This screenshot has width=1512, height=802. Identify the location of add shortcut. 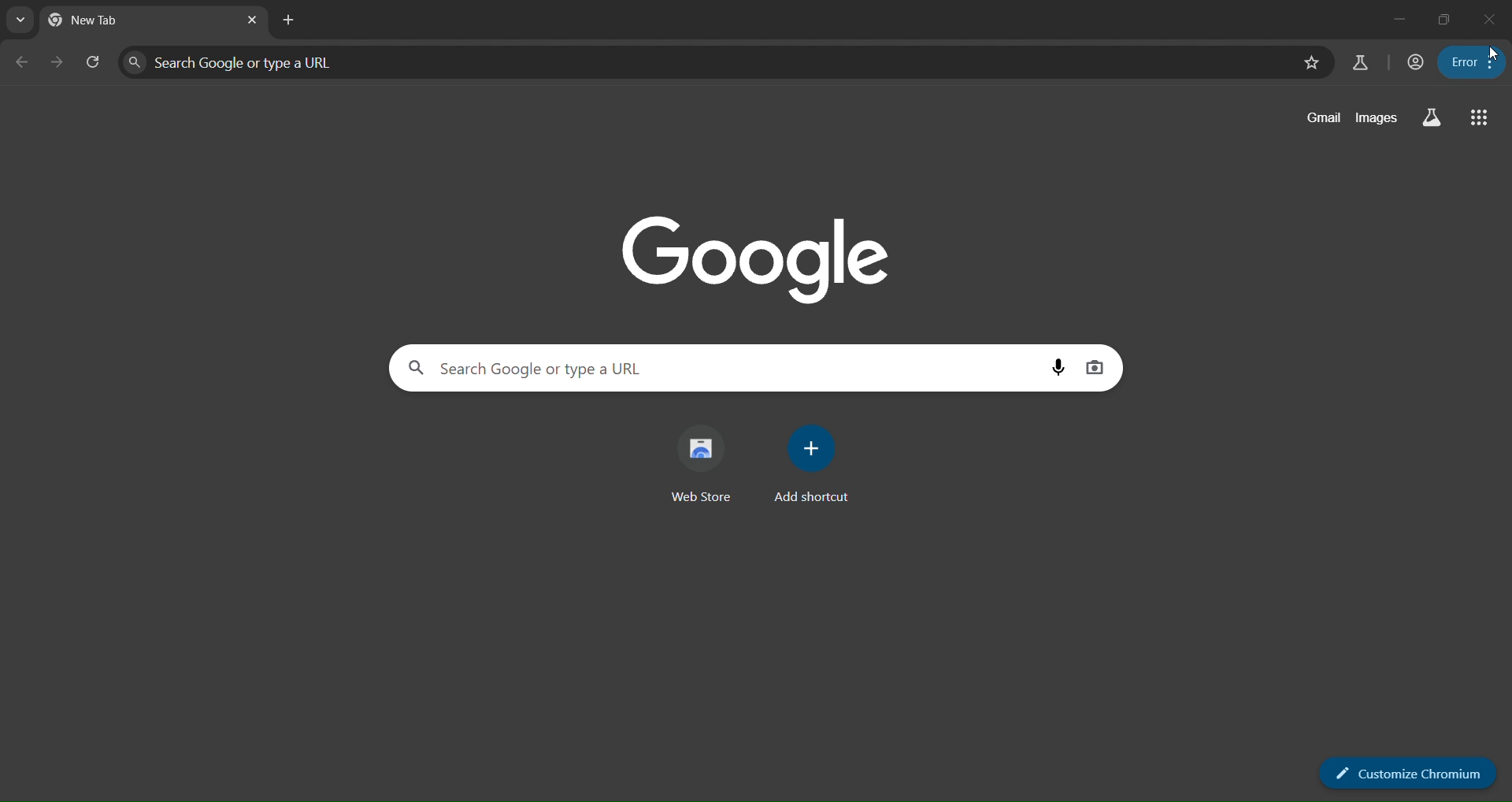
(809, 463).